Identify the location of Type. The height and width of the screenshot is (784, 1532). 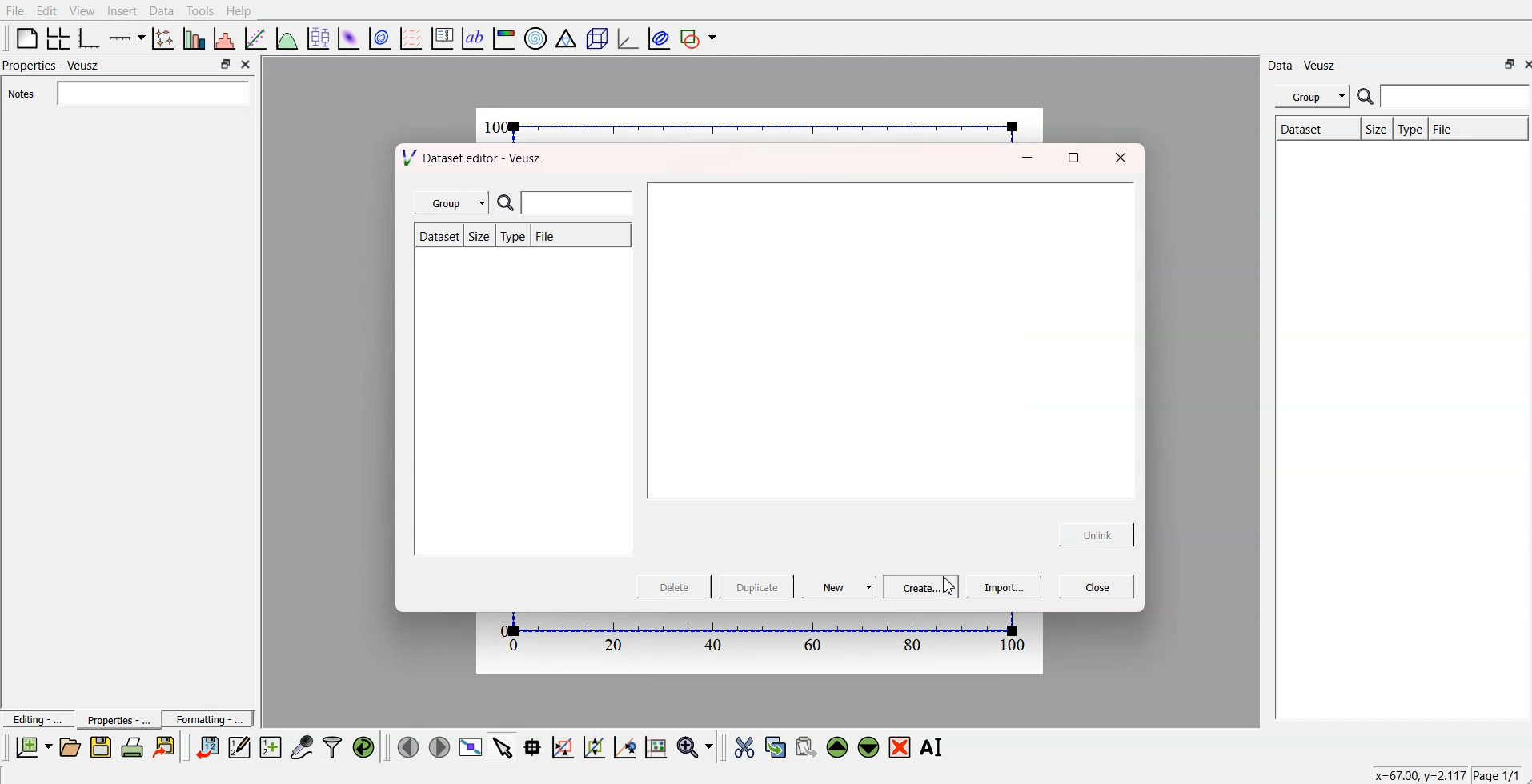
(1411, 129).